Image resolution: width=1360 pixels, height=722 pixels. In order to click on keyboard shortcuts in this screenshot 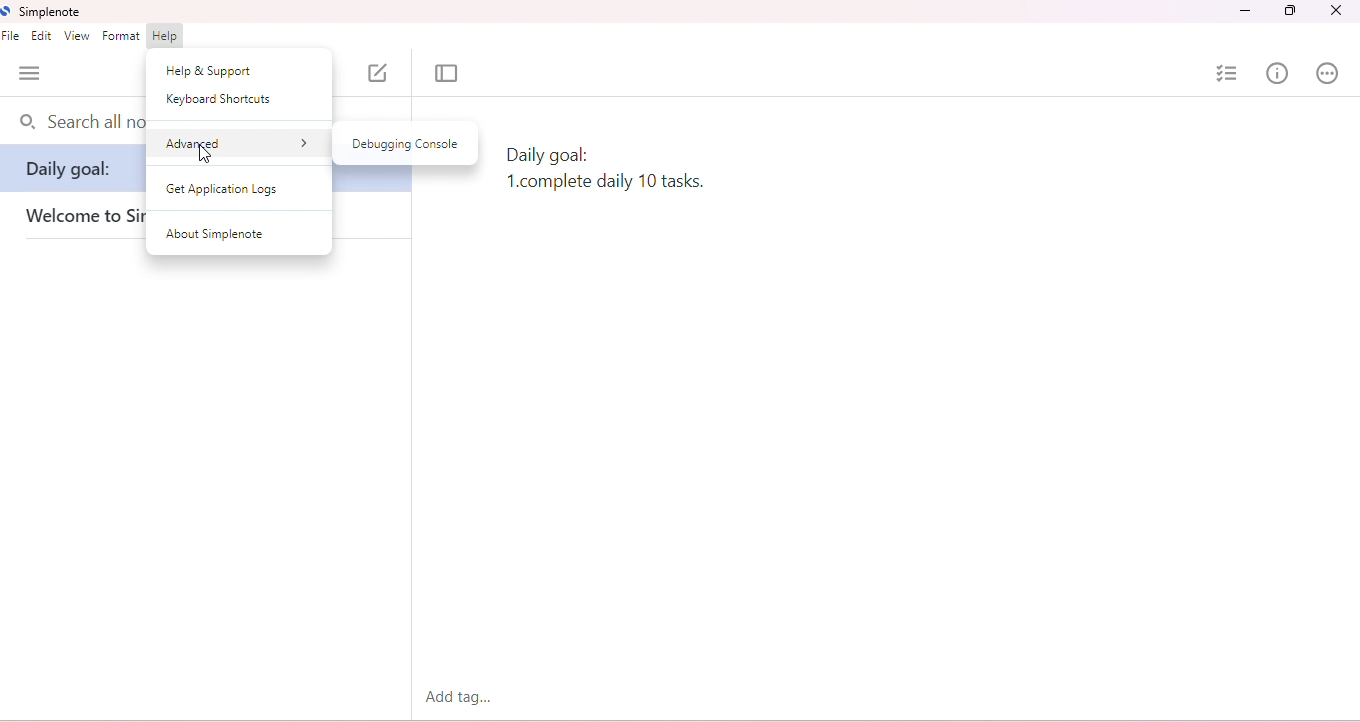, I will do `click(220, 100)`.